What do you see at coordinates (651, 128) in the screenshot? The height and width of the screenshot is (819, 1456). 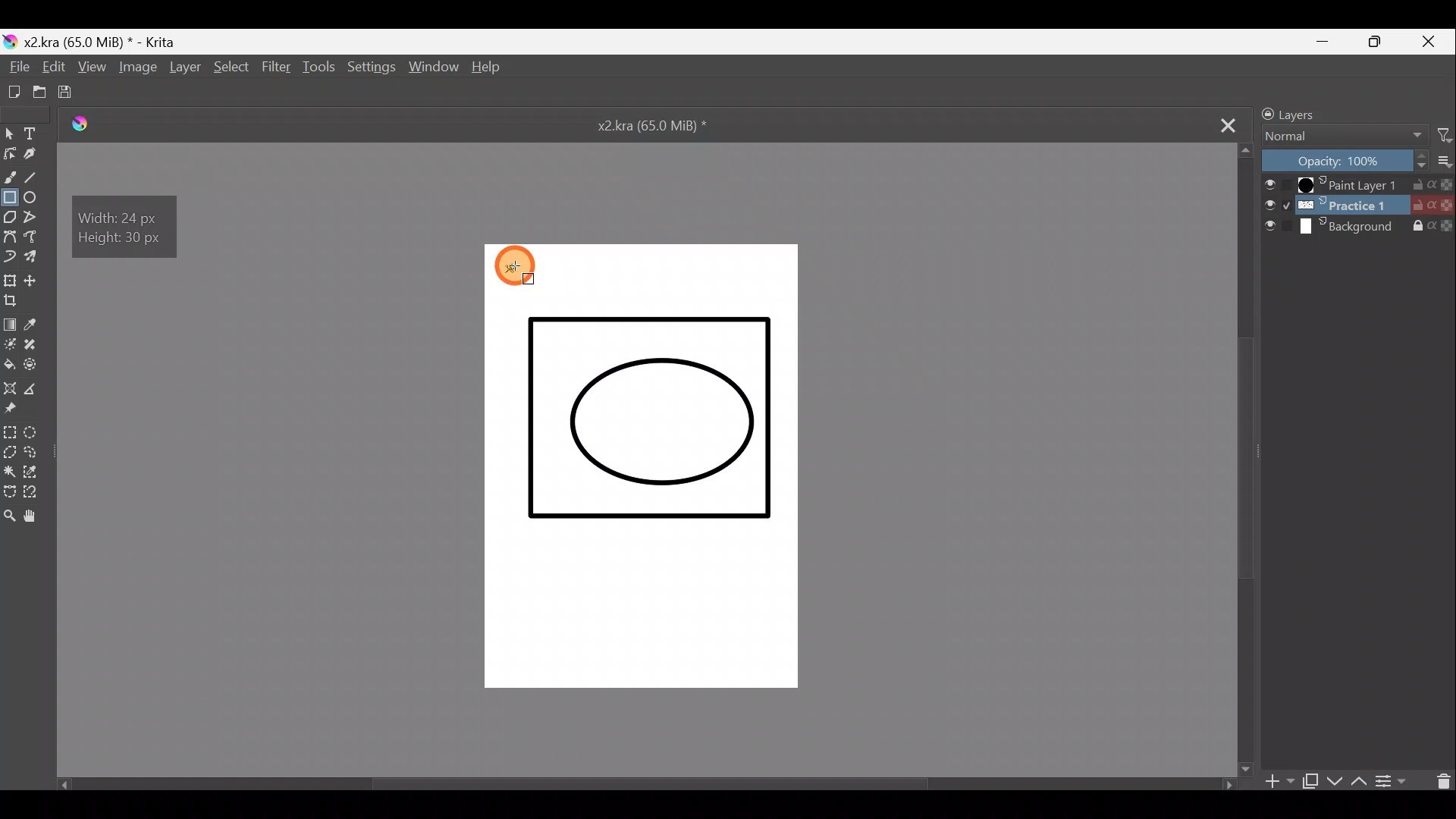 I see `x2.kra (65.0 MiB) *` at bounding box center [651, 128].